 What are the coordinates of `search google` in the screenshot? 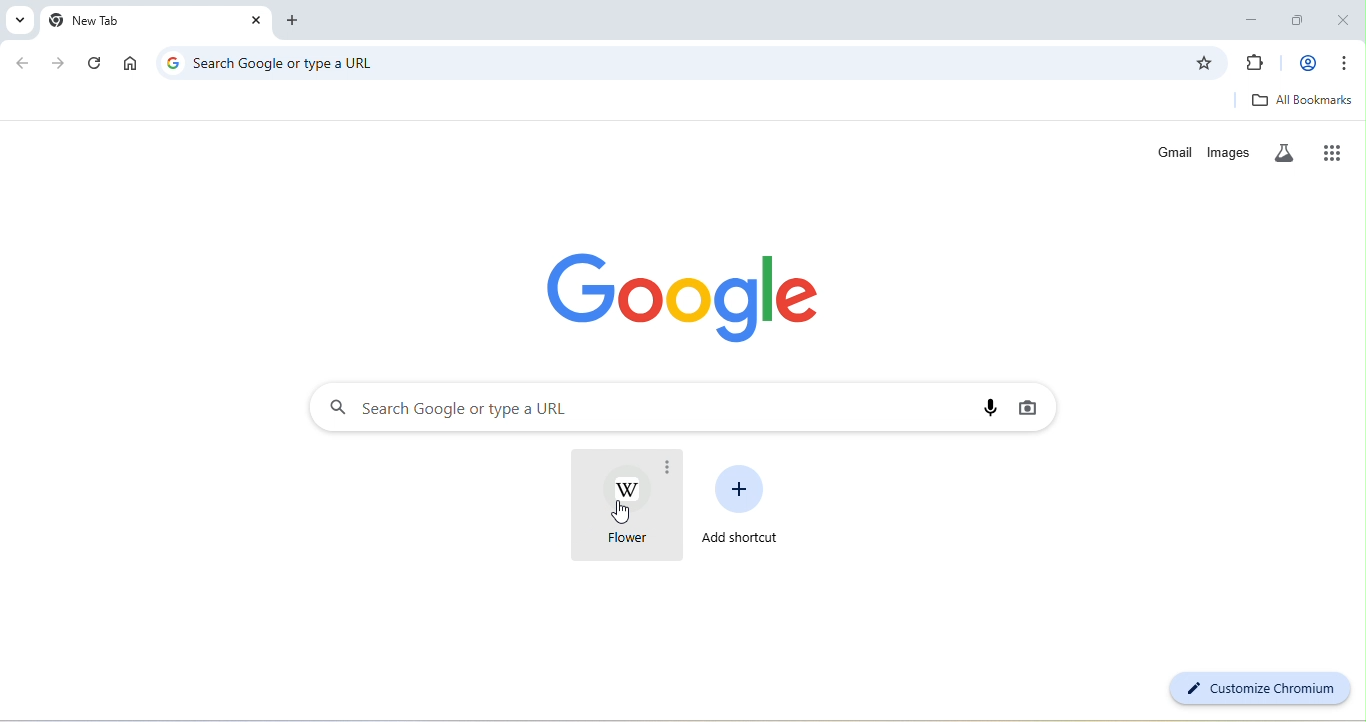 It's located at (633, 408).